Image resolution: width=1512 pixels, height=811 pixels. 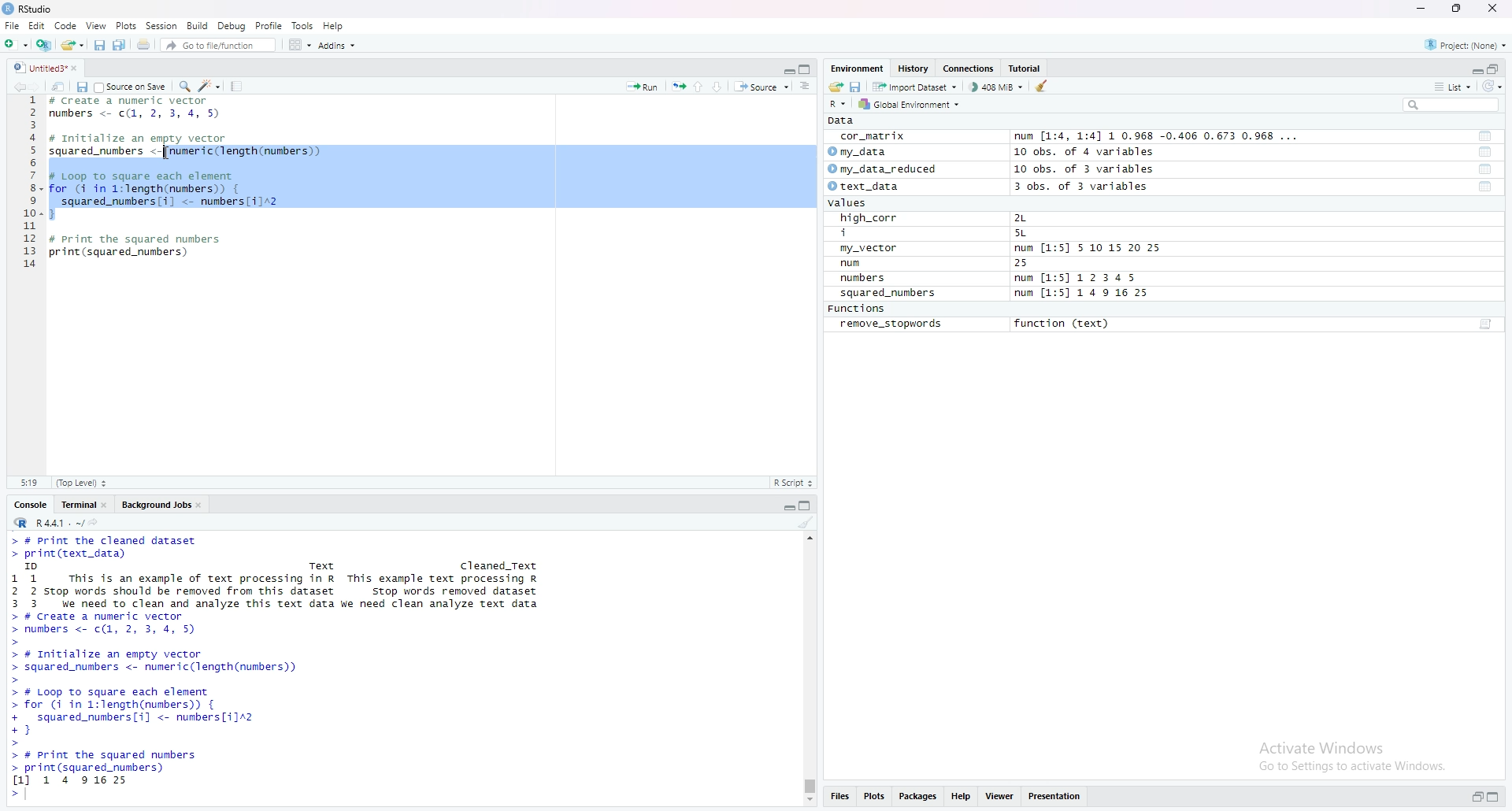 What do you see at coordinates (808, 536) in the screenshot?
I see `scrollbar up` at bounding box center [808, 536].